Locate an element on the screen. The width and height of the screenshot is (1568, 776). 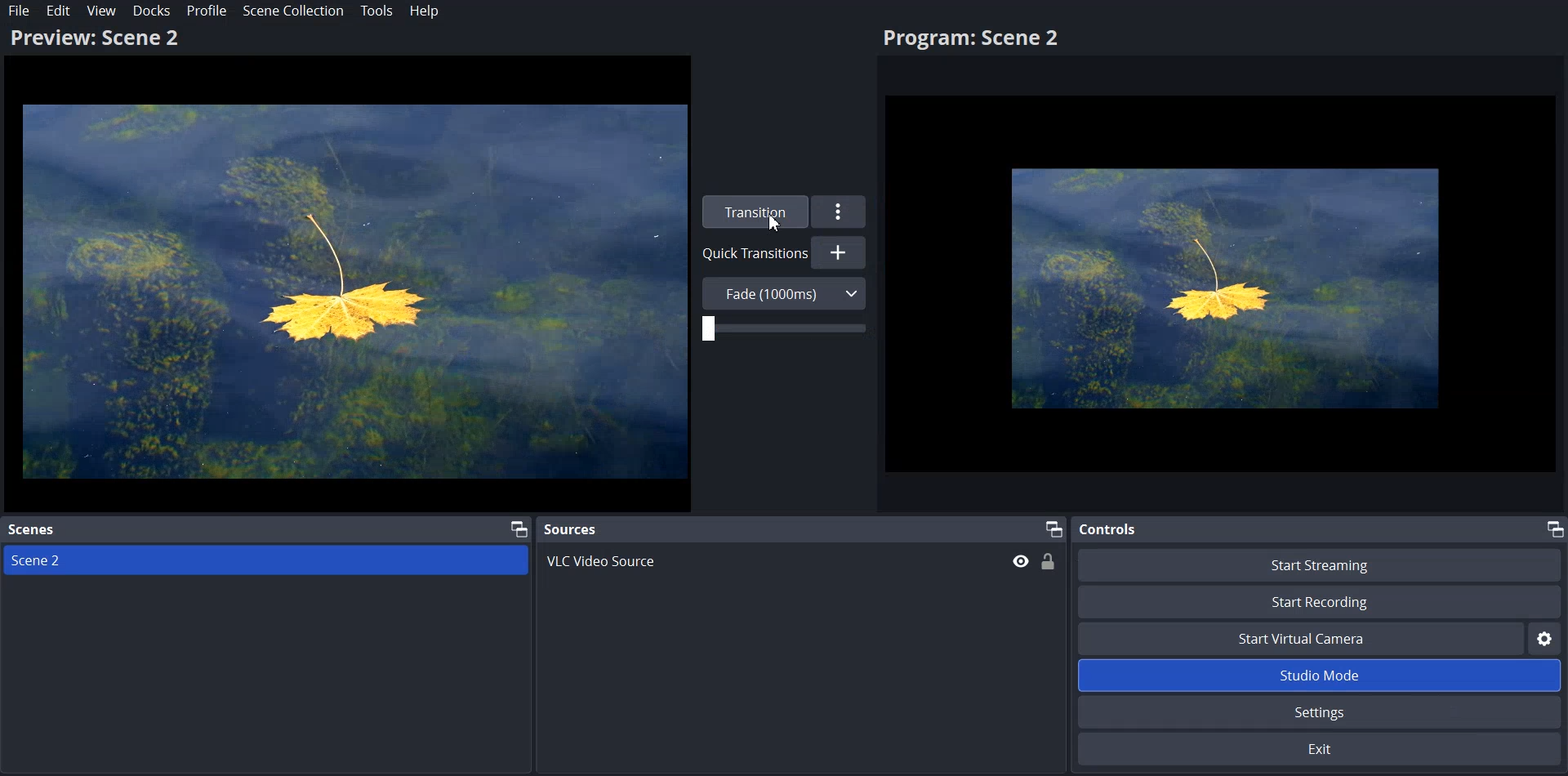
Studio Mode is located at coordinates (1322, 676).